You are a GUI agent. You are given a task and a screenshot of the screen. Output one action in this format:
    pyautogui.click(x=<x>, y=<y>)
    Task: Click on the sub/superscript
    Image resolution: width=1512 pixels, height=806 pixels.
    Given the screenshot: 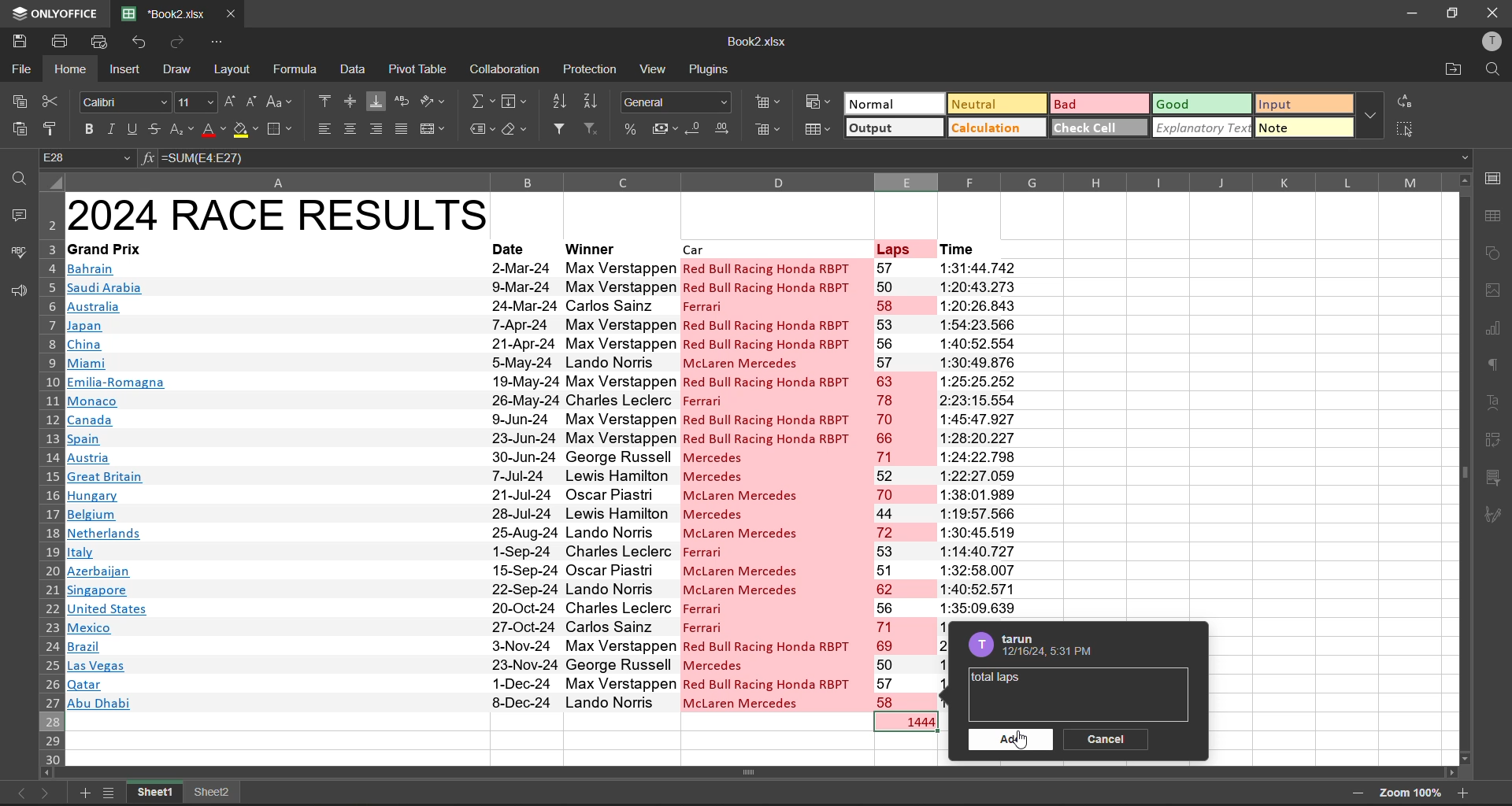 What is the action you would take?
    pyautogui.click(x=183, y=130)
    